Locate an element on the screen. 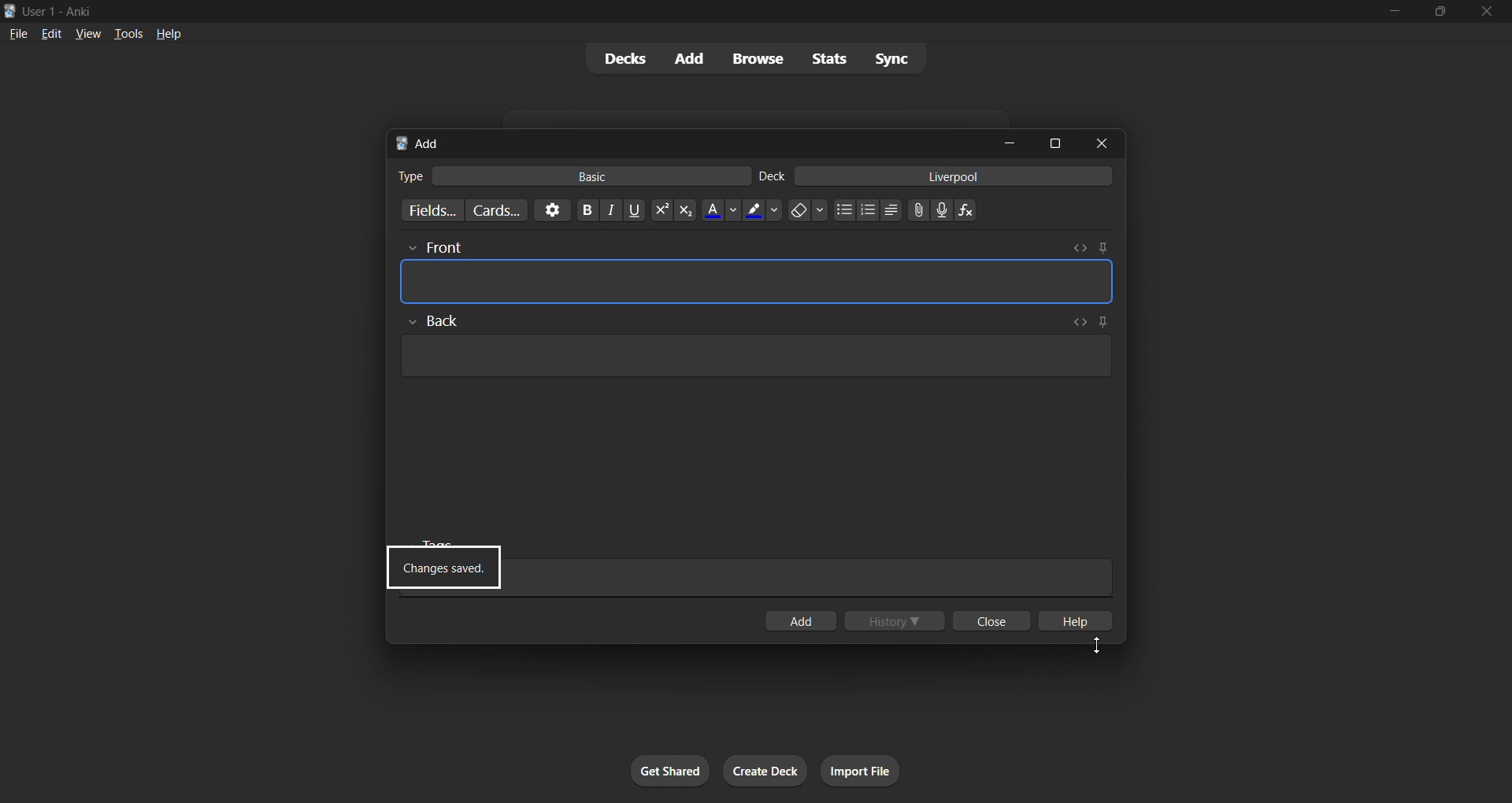 The height and width of the screenshot is (803, 1512). stats is located at coordinates (825, 61).